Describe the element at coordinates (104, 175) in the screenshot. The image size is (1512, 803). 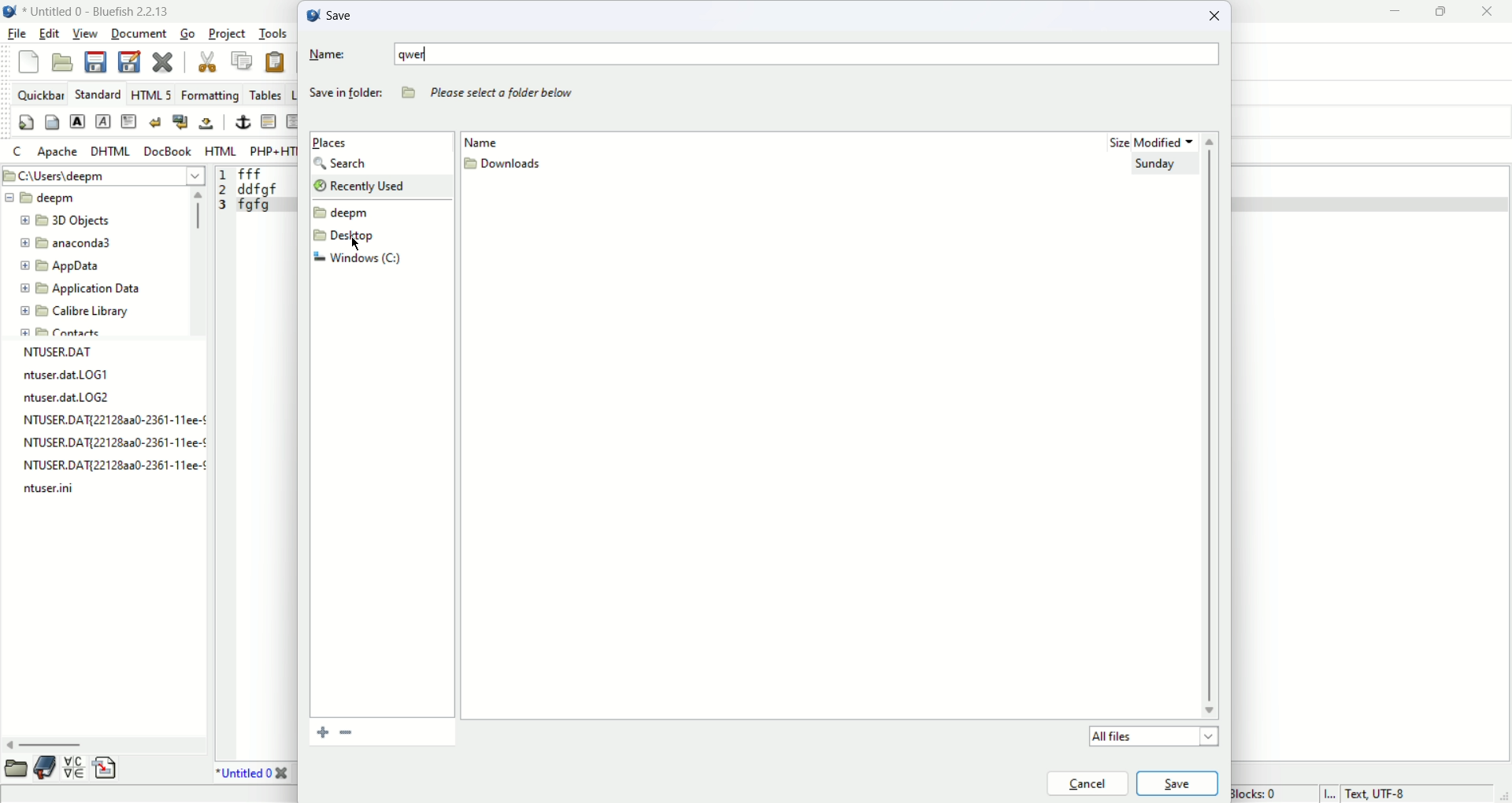
I see `C:\Users\deepm` at that location.